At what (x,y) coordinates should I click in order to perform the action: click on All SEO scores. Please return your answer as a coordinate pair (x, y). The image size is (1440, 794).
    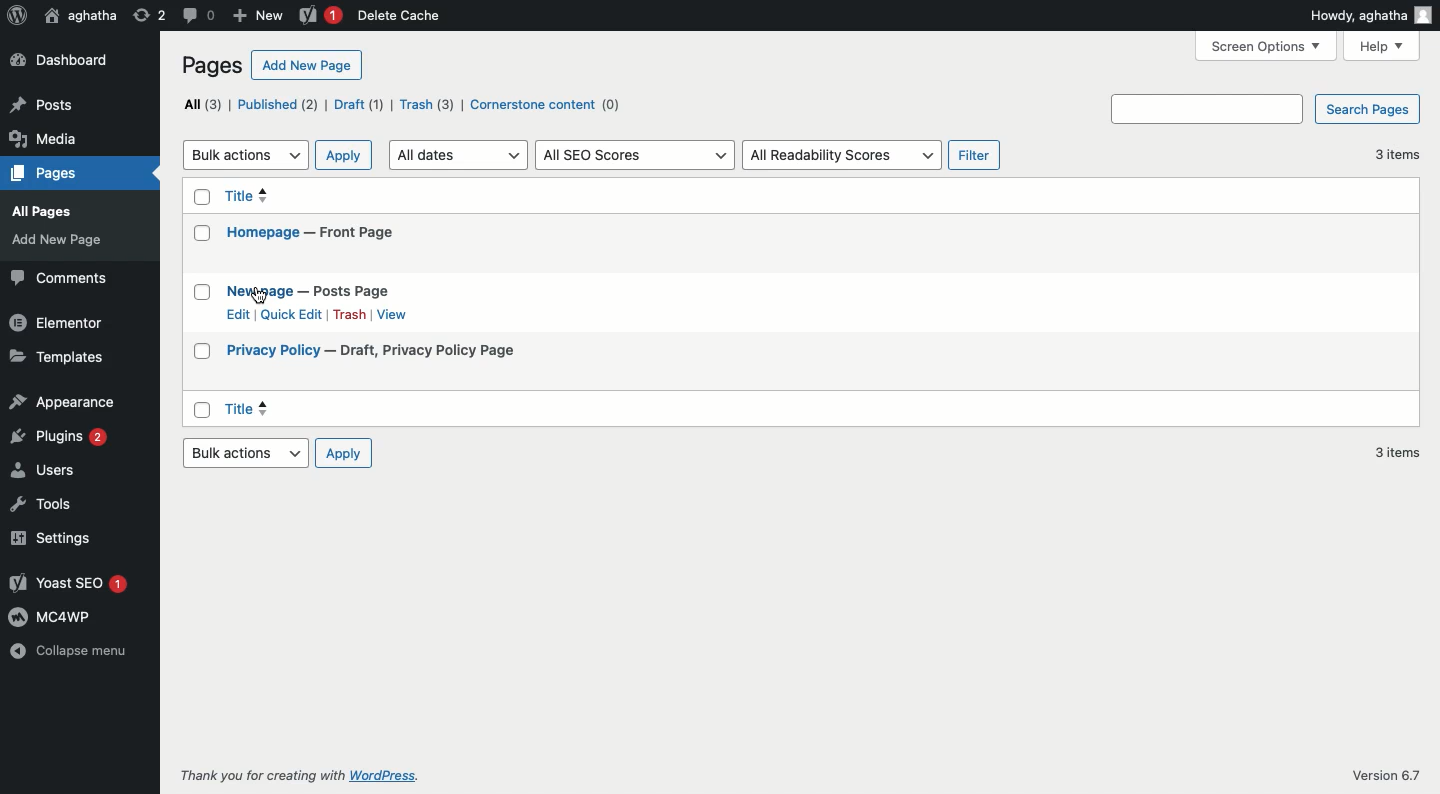
    Looking at the image, I should click on (637, 154).